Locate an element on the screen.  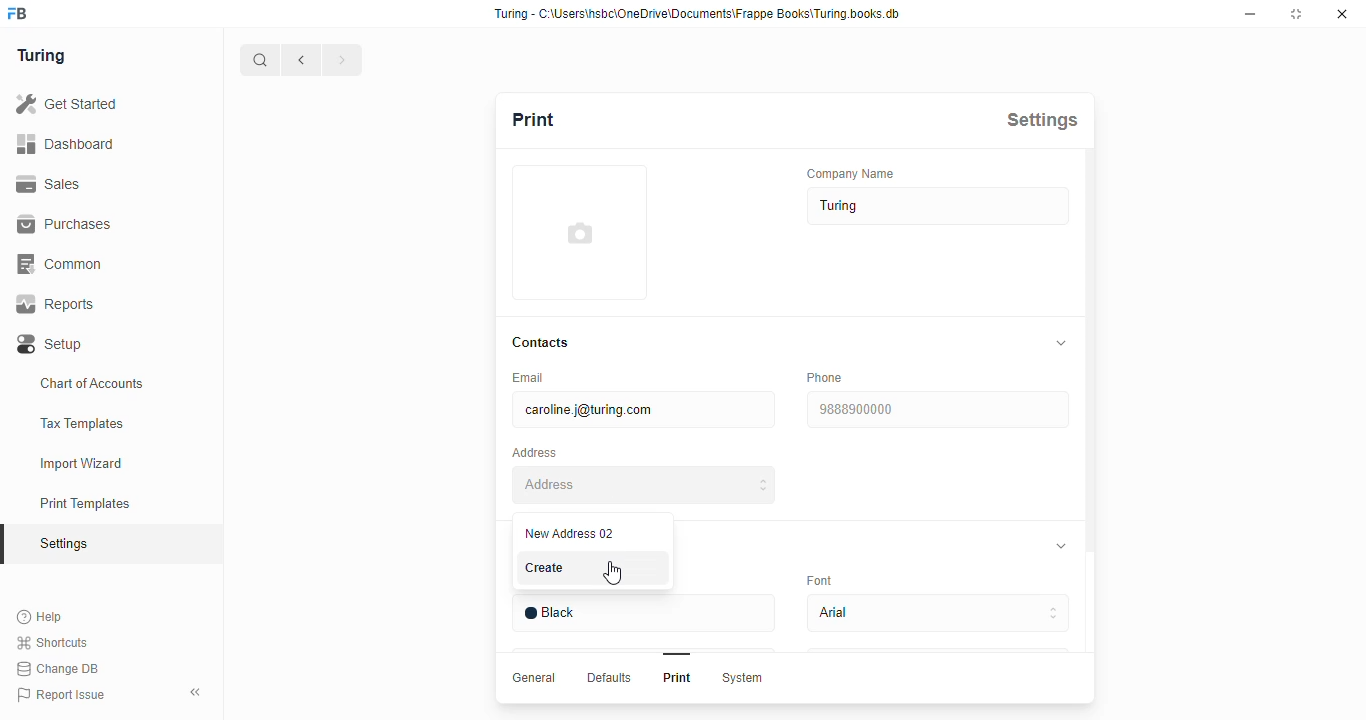
common is located at coordinates (62, 264).